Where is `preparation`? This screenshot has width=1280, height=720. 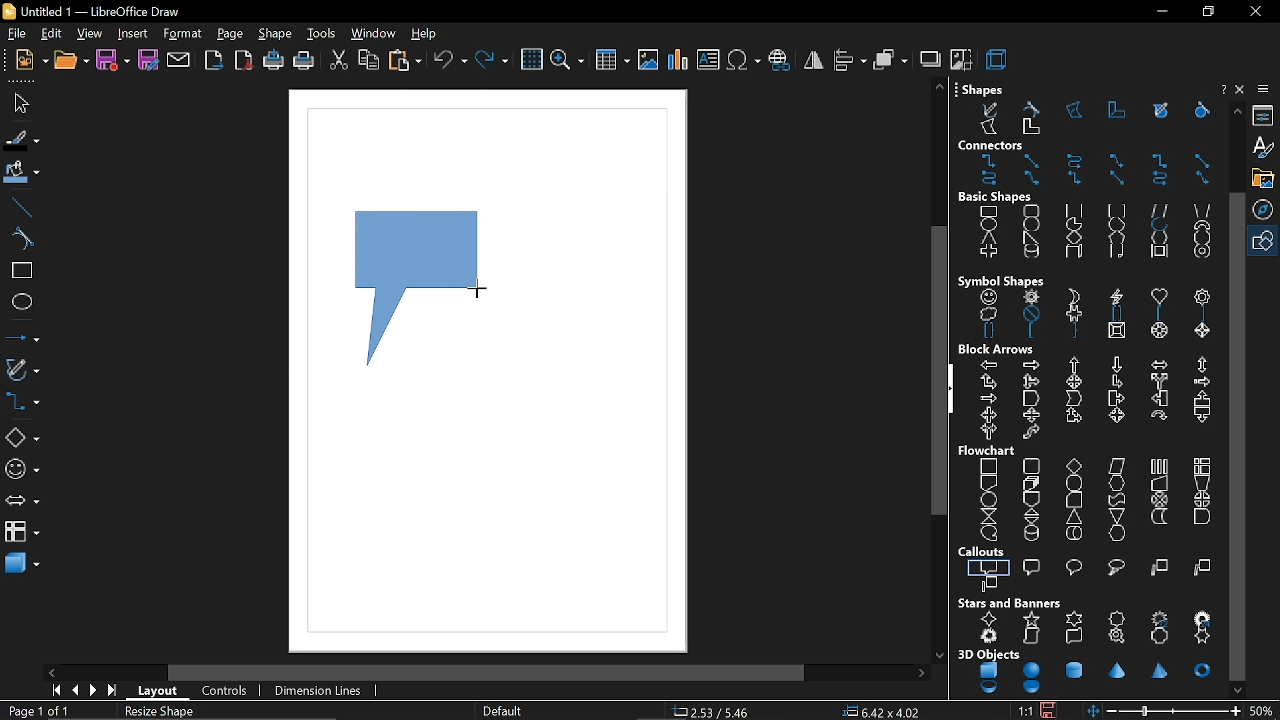 preparation is located at coordinates (1117, 482).